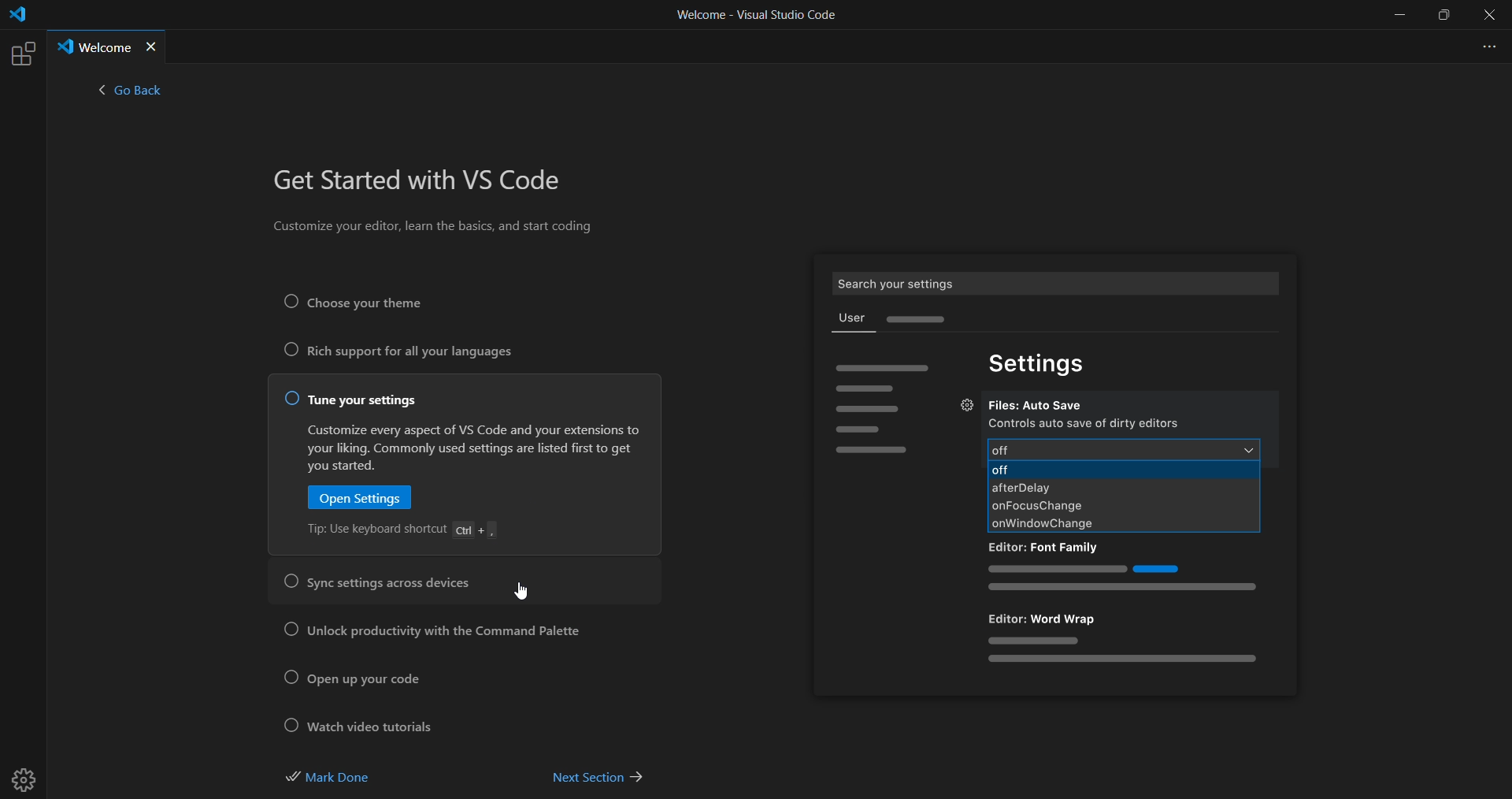  I want to click on get started with VS Code, so click(424, 182).